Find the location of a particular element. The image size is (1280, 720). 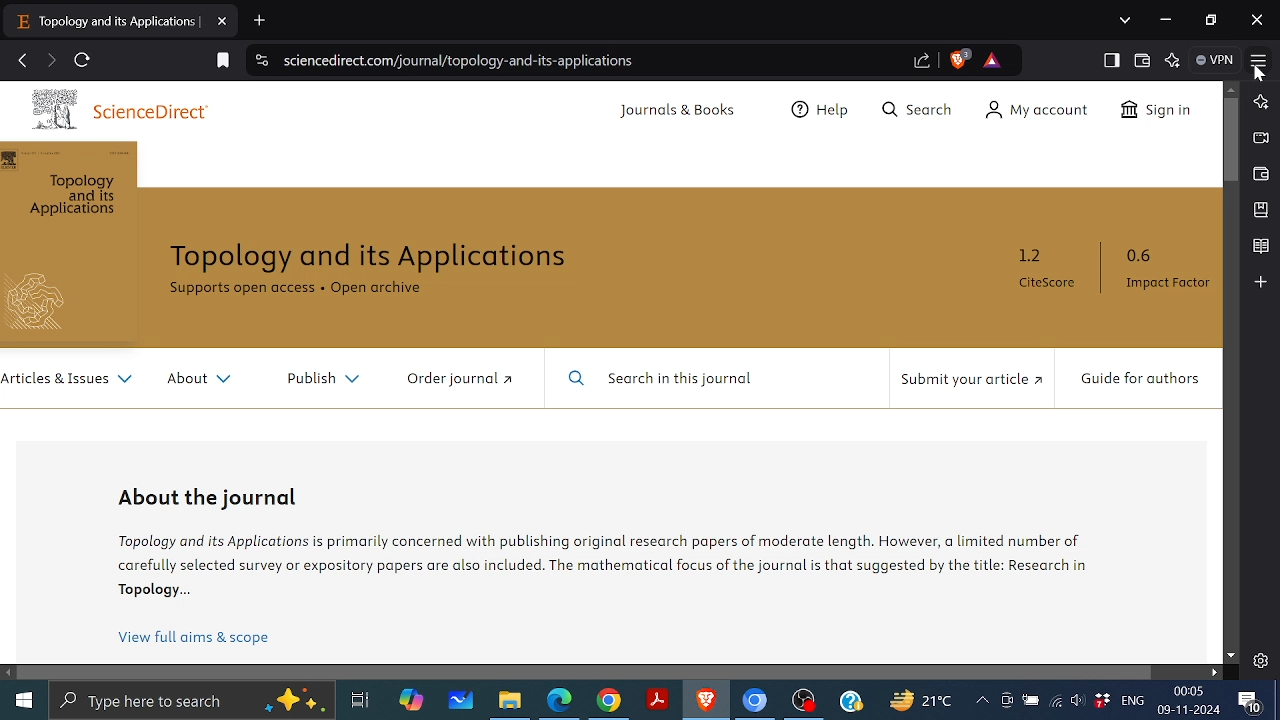

Start is located at coordinates (26, 698).